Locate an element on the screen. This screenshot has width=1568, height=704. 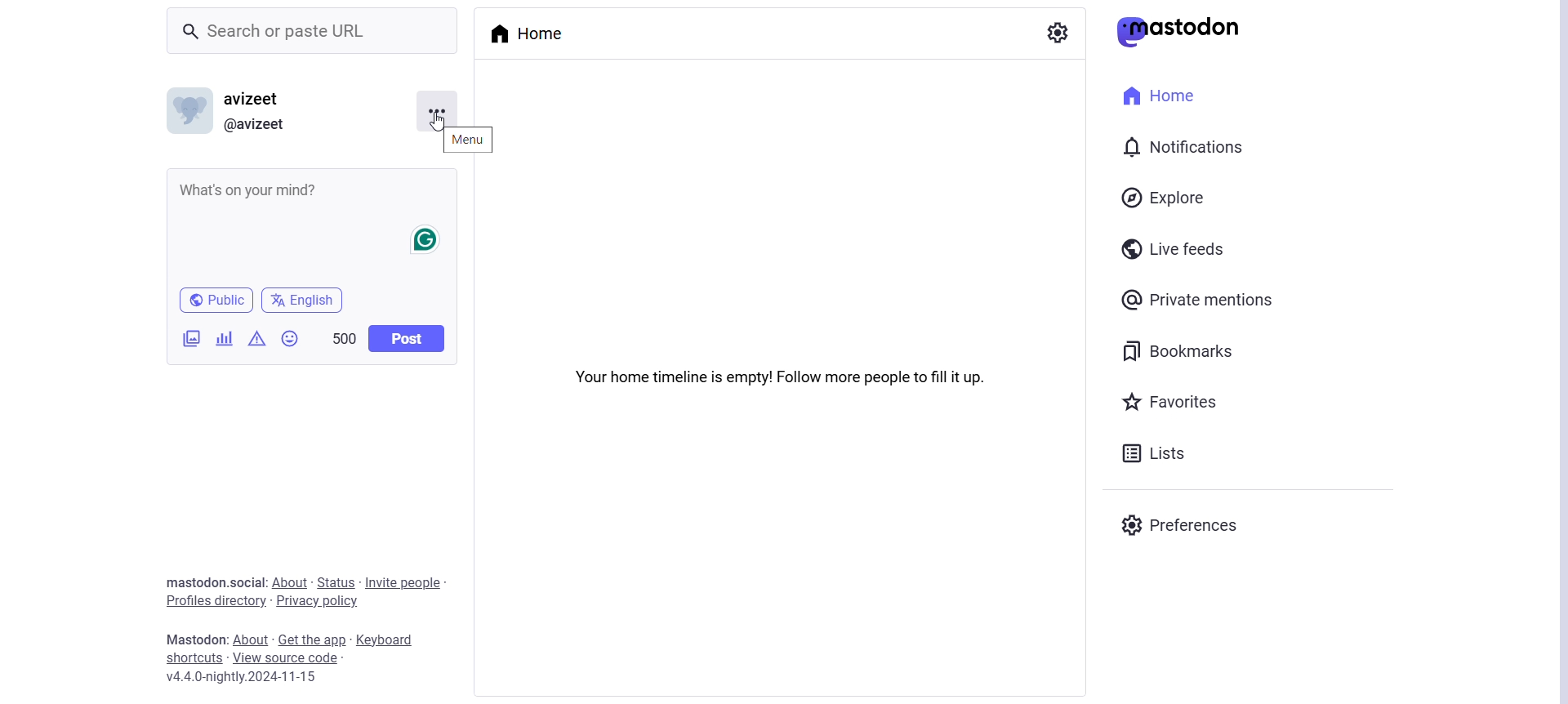
View Source Code is located at coordinates (294, 659).